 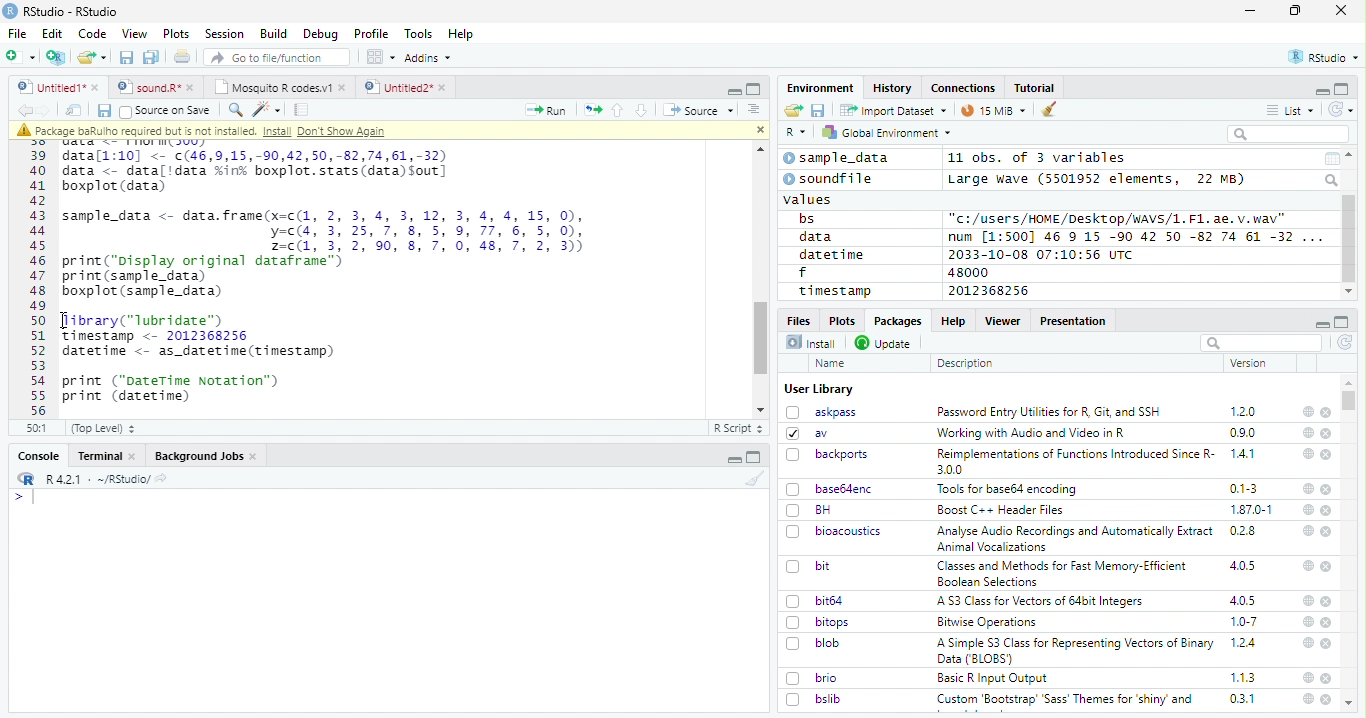 What do you see at coordinates (995, 678) in the screenshot?
I see `Basic R Input Output` at bounding box center [995, 678].